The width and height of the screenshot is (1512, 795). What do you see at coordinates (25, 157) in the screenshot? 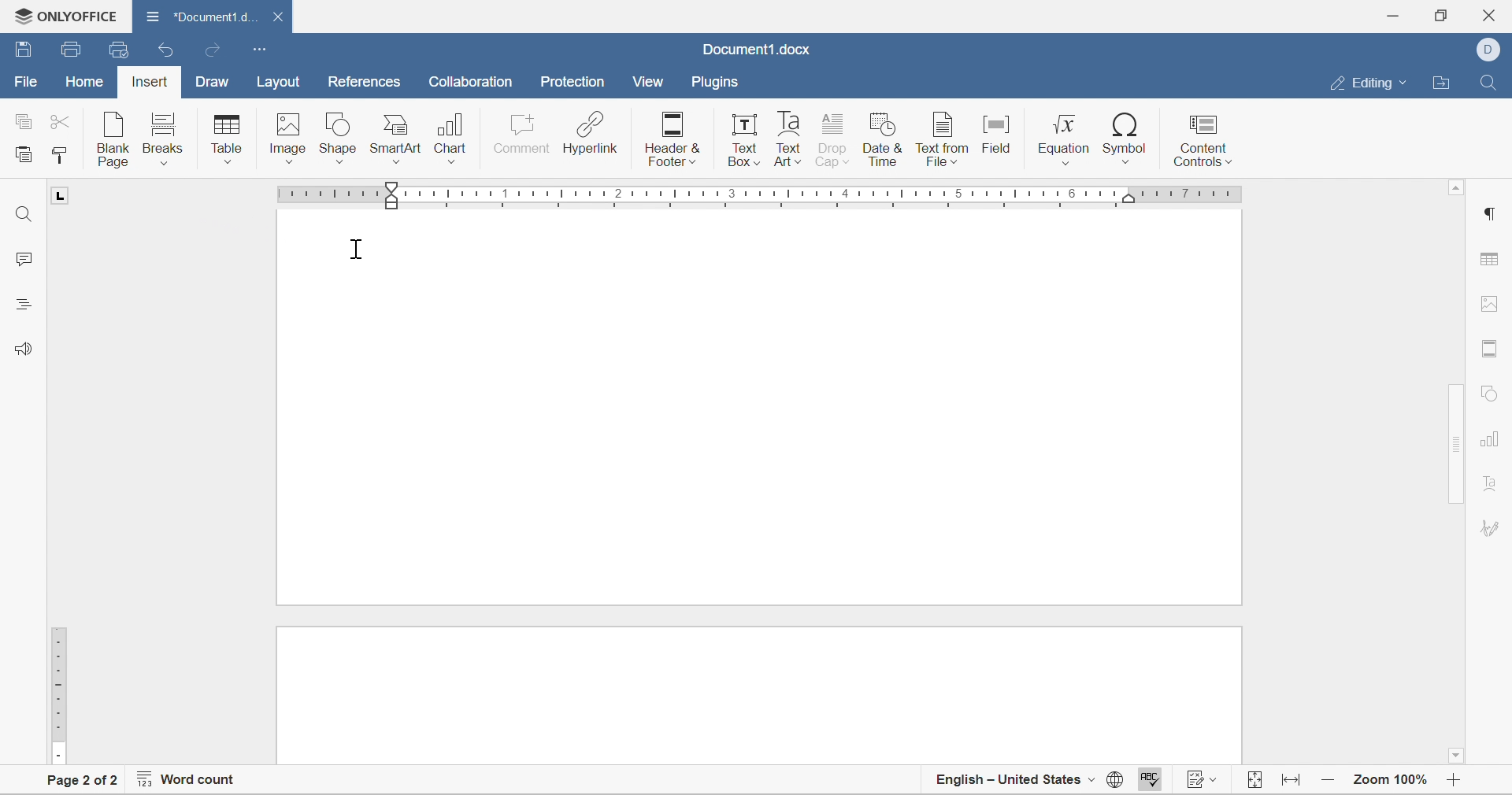
I see `Paste` at bounding box center [25, 157].